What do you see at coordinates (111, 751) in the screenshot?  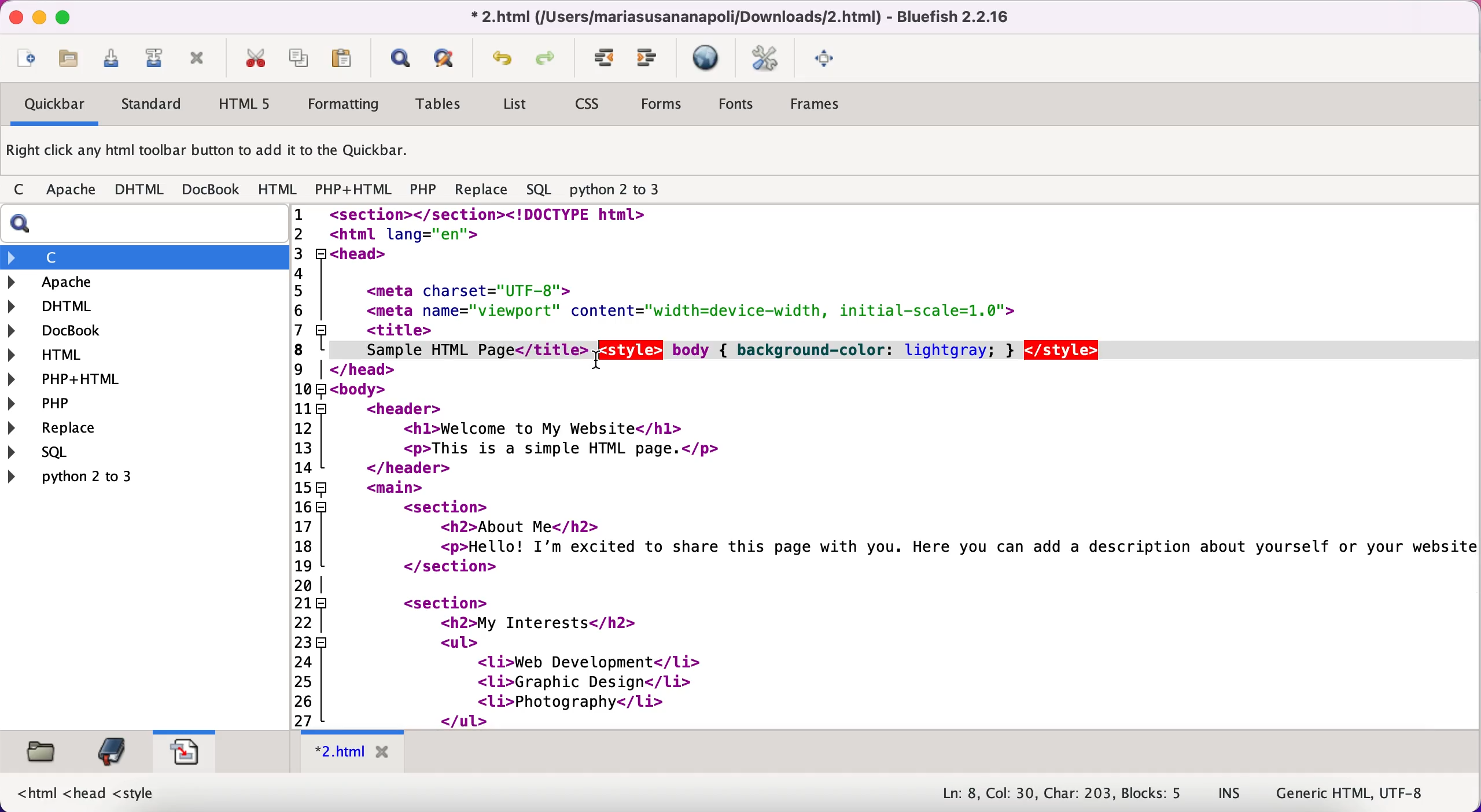 I see `bookmarks` at bounding box center [111, 751].